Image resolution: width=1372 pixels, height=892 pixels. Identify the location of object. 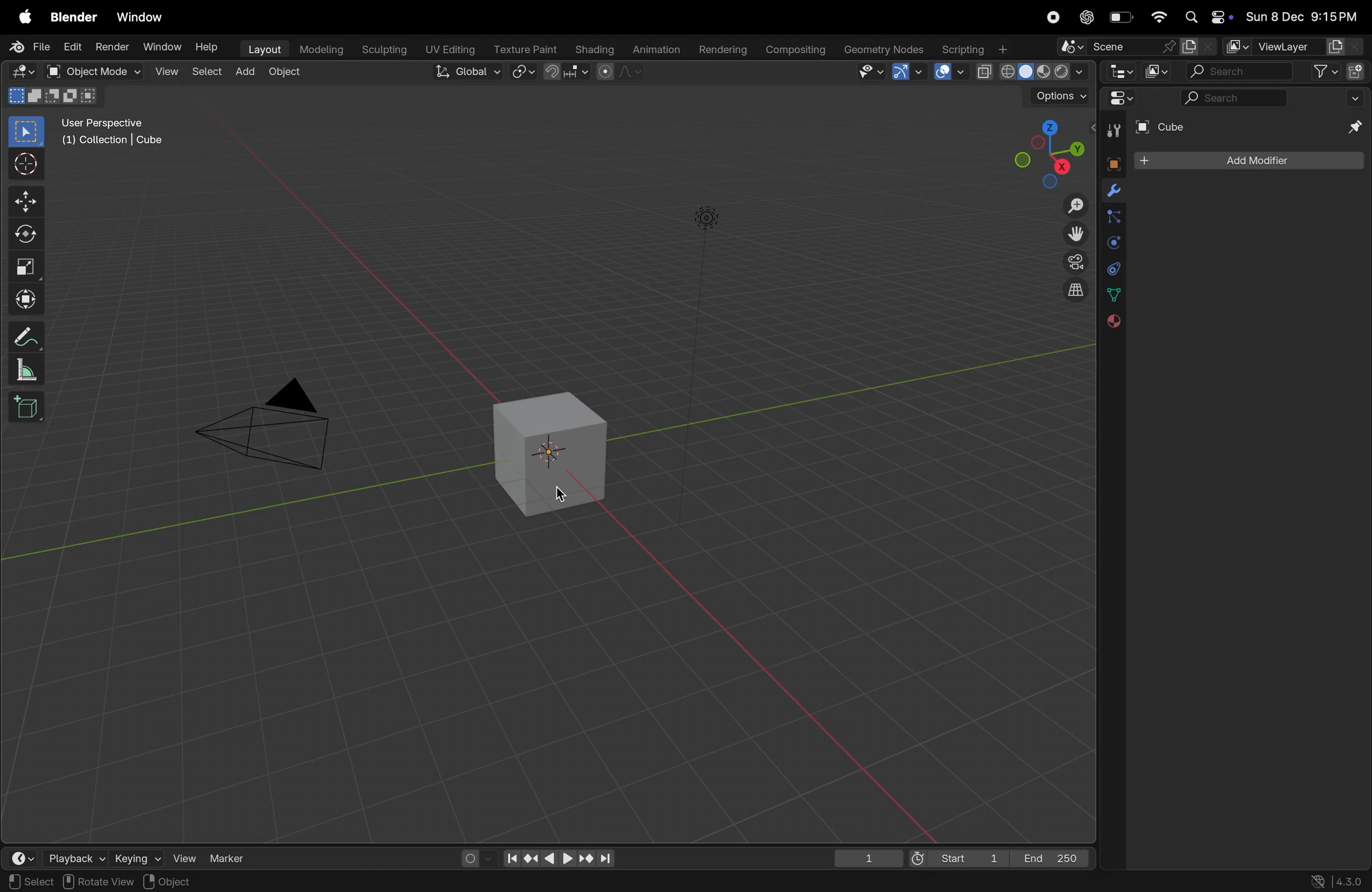
(172, 881).